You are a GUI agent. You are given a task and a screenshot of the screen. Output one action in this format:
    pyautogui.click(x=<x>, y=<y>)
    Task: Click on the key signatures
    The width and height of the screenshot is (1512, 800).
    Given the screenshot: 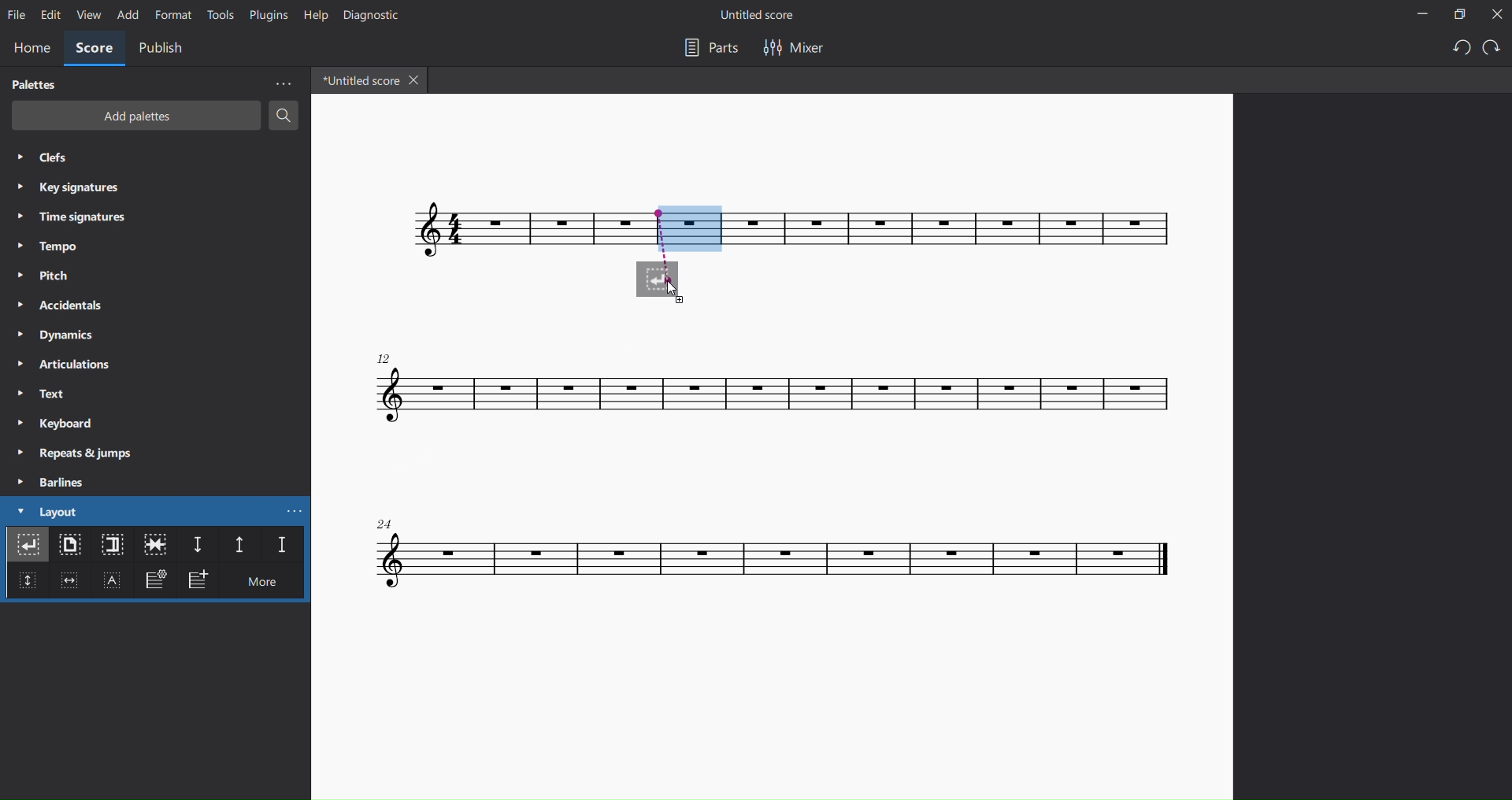 What is the action you would take?
    pyautogui.click(x=72, y=190)
    